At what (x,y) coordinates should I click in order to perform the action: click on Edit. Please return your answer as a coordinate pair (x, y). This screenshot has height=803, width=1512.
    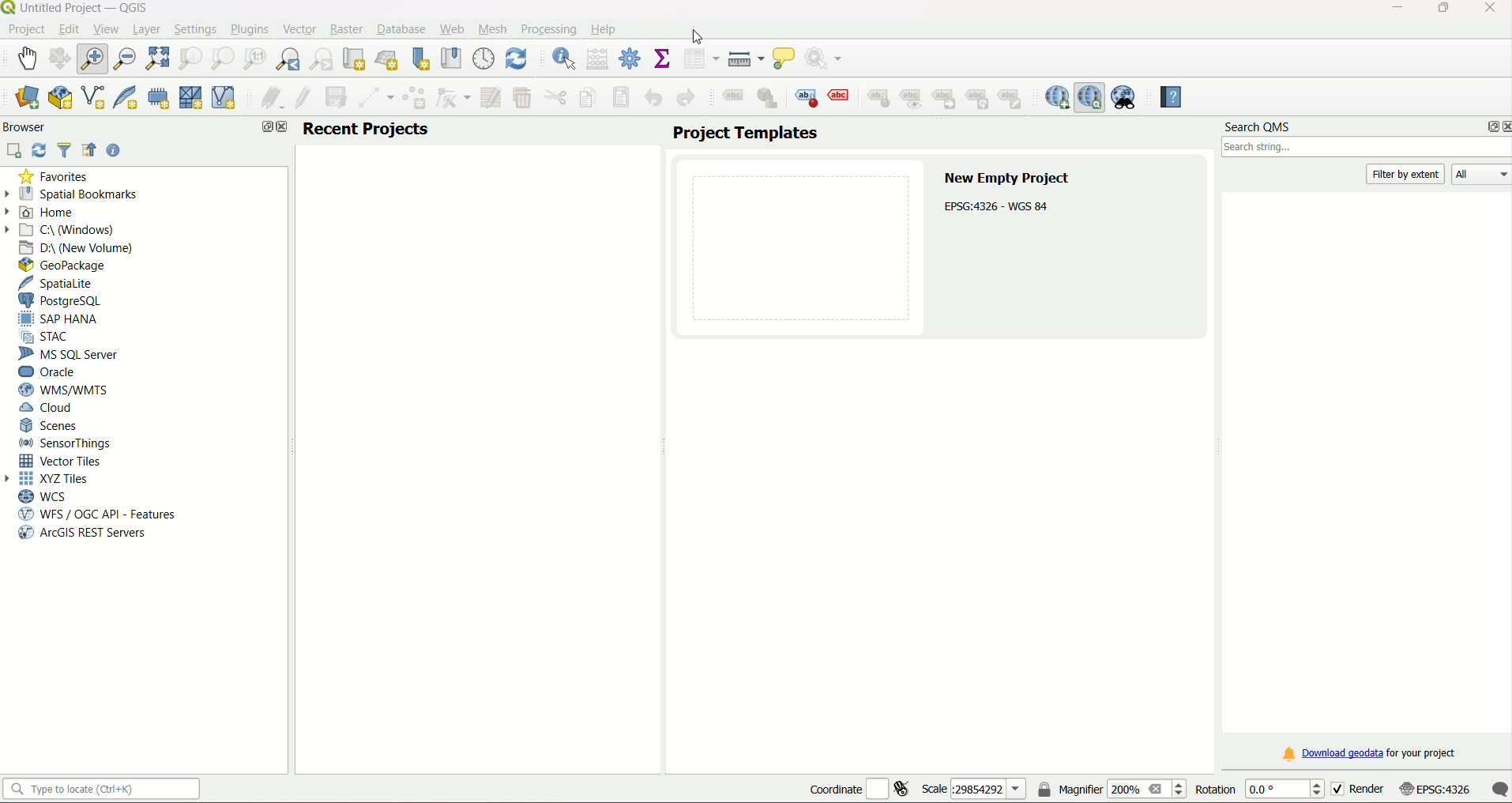
    Looking at the image, I should click on (68, 29).